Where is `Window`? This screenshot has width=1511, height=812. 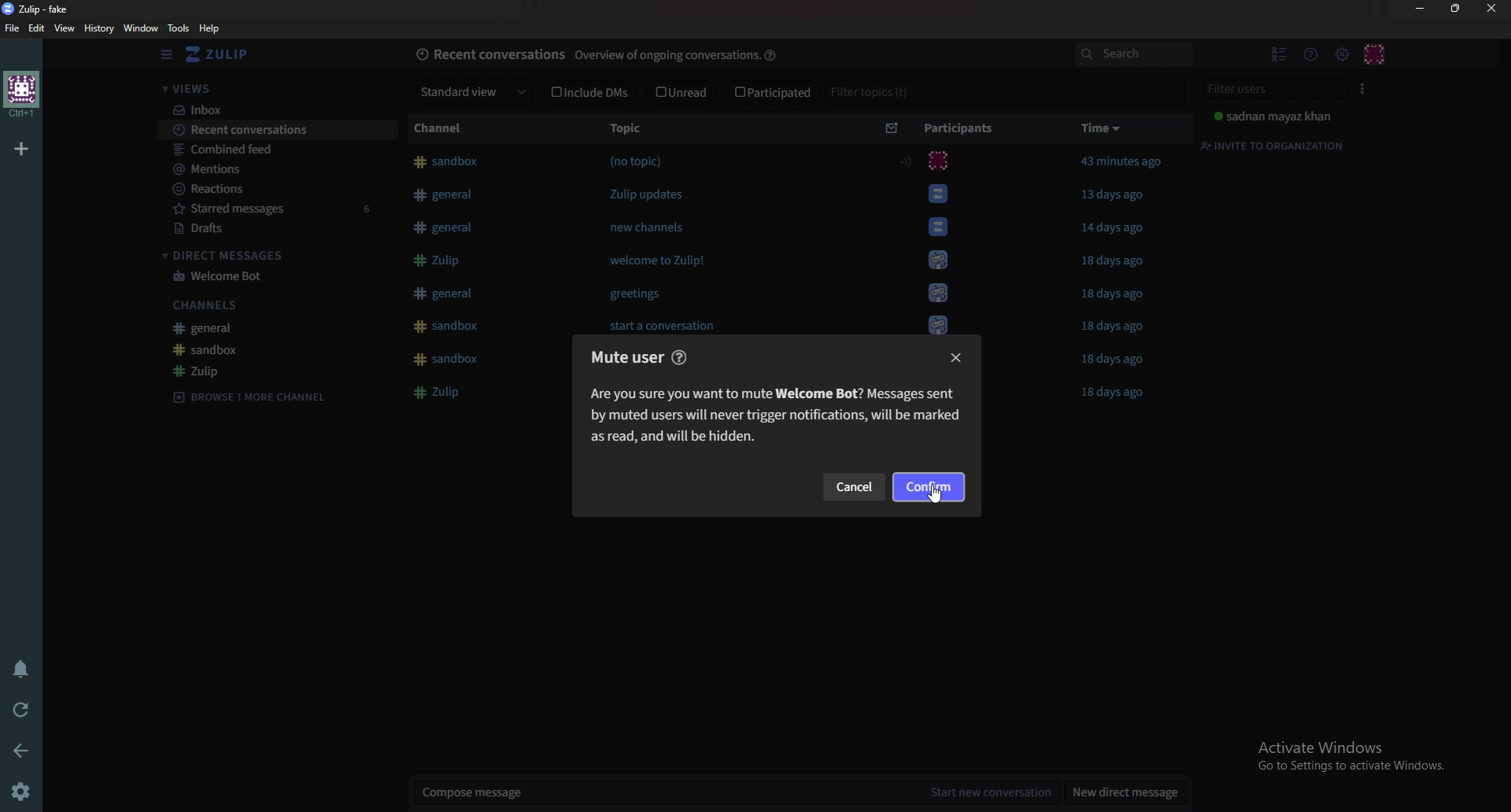
Window is located at coordinates (141, 28).